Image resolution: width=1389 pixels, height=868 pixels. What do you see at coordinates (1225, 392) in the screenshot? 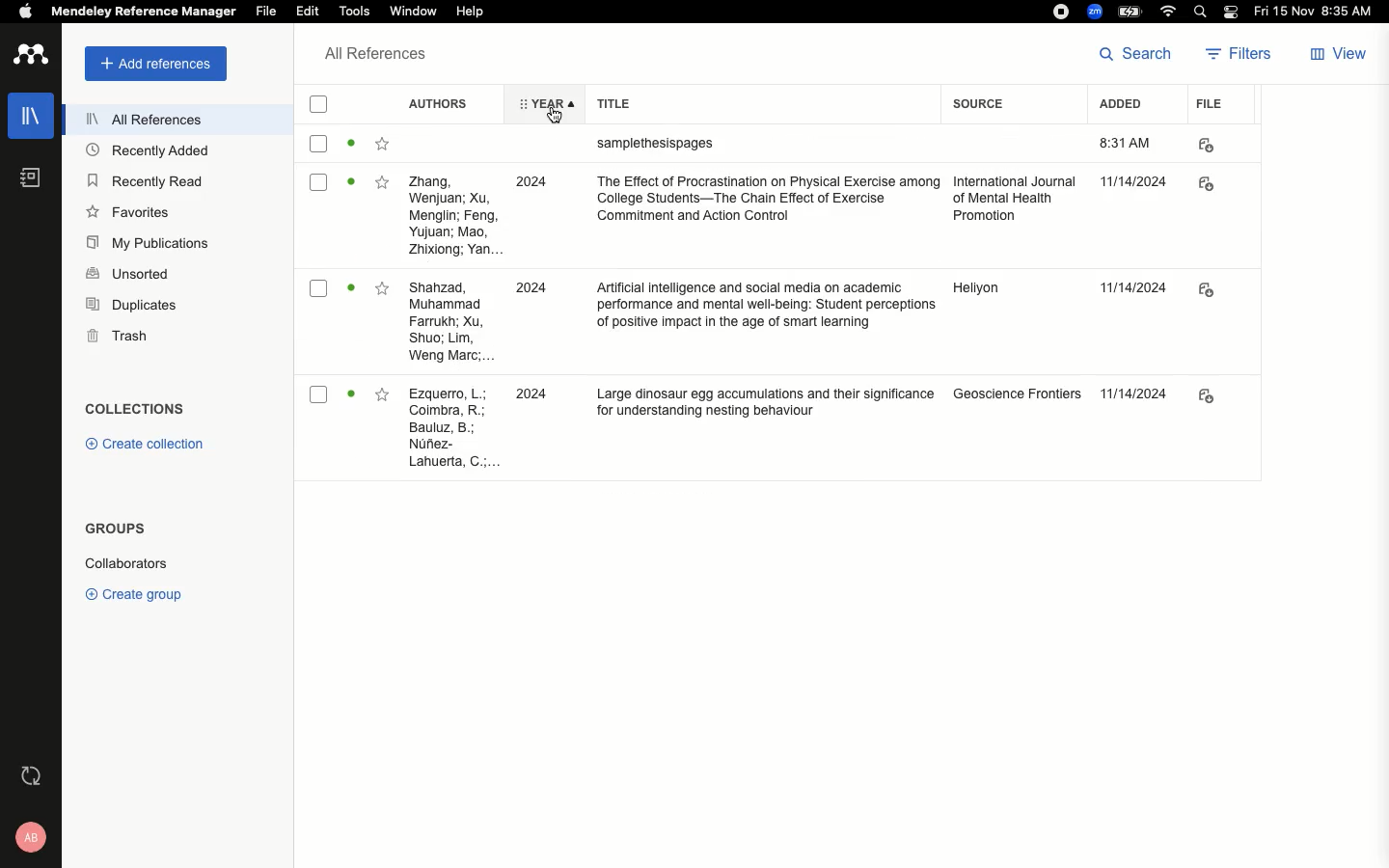
I see `file type` at bounding box center [1225, 392].